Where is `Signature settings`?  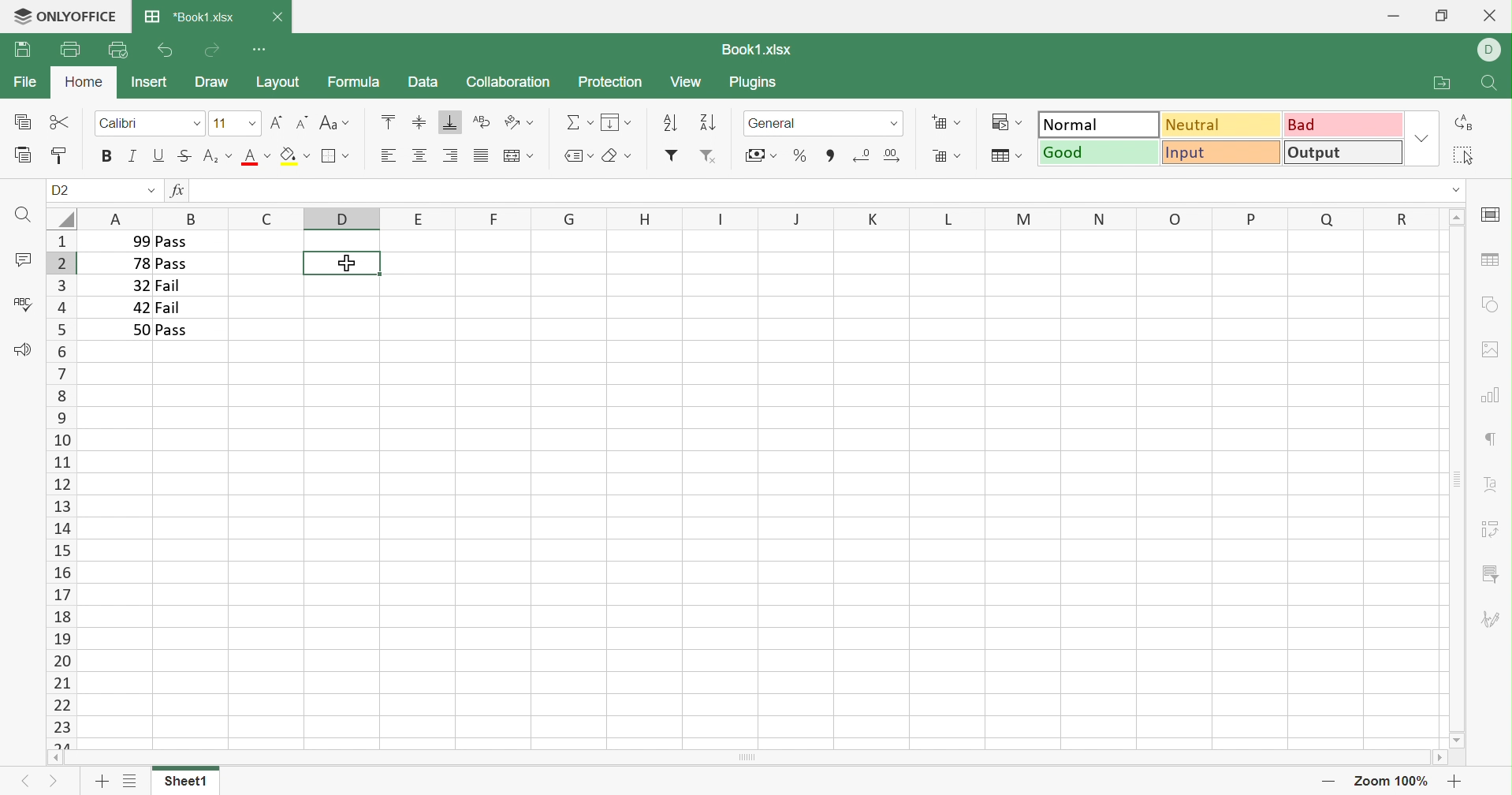
Signature settings is located at coordinates (1494, 618).